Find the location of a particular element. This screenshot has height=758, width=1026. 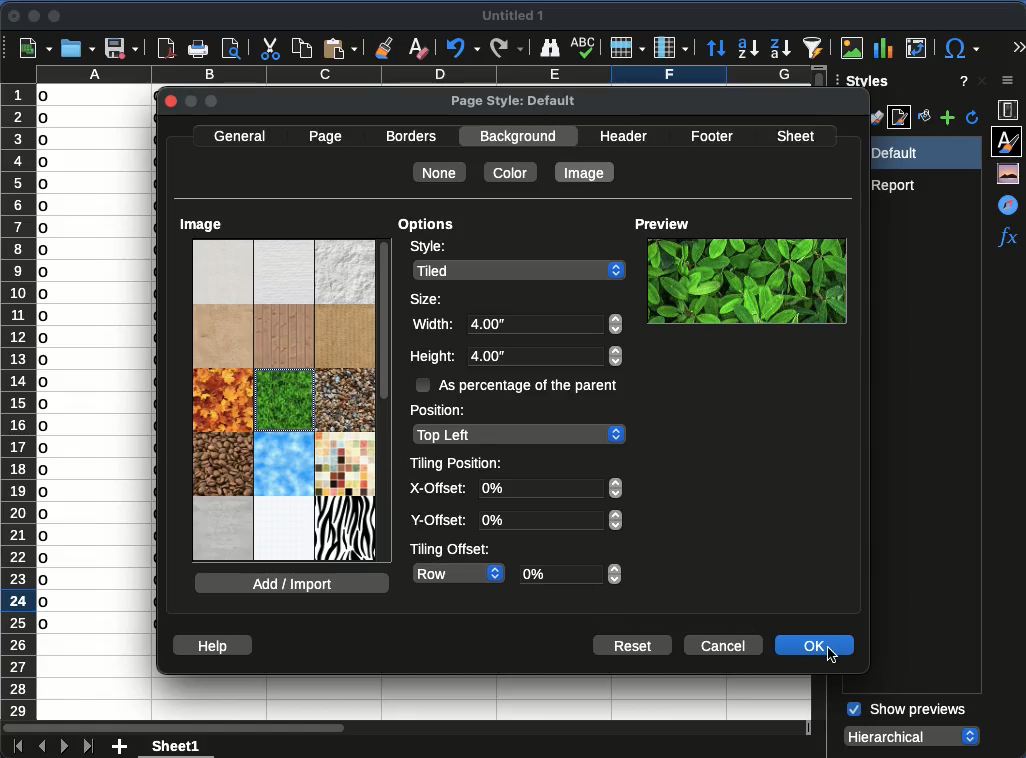

tiling offset is located at coordinates (452, 549).